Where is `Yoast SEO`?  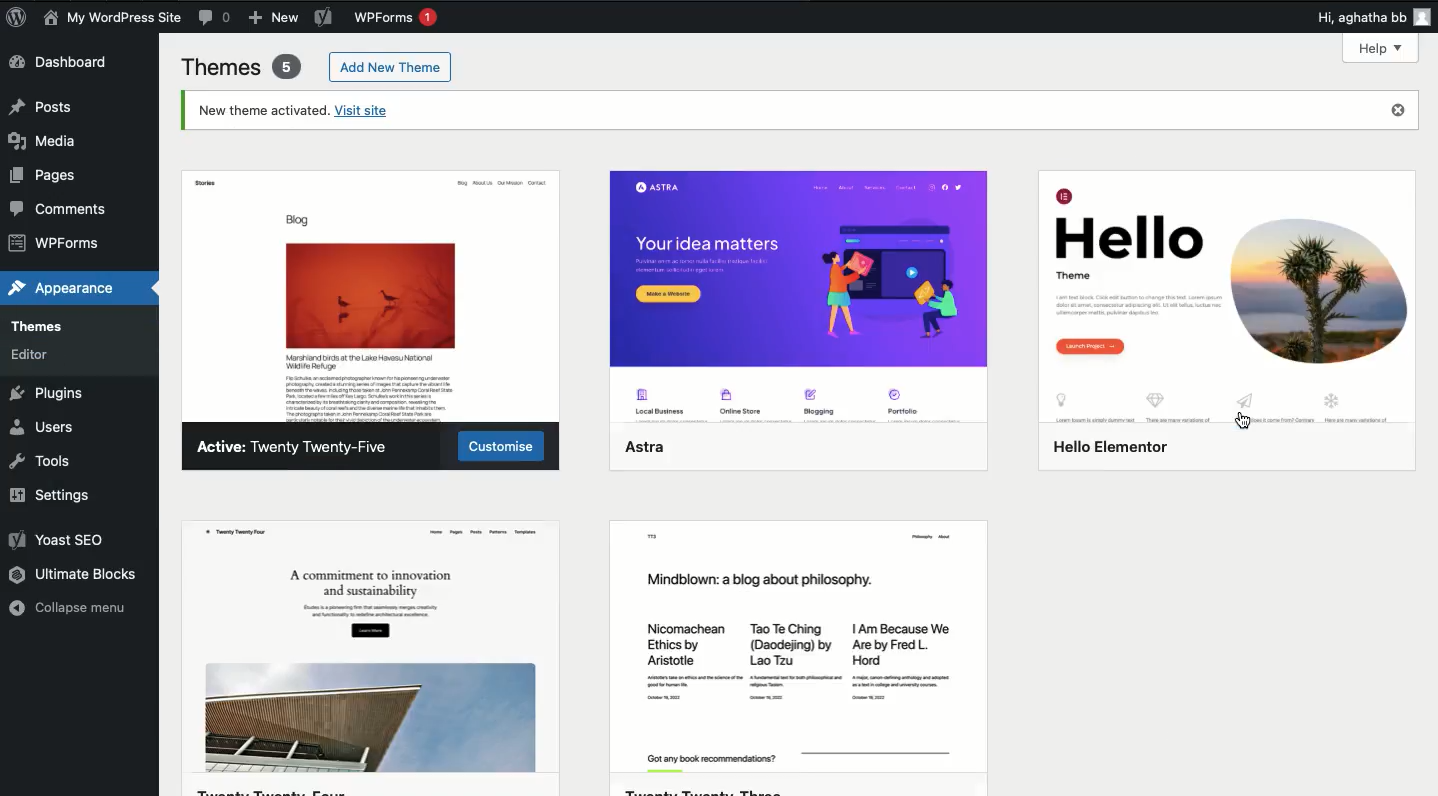 Yoast SEO is located at coordinates (59, 537).